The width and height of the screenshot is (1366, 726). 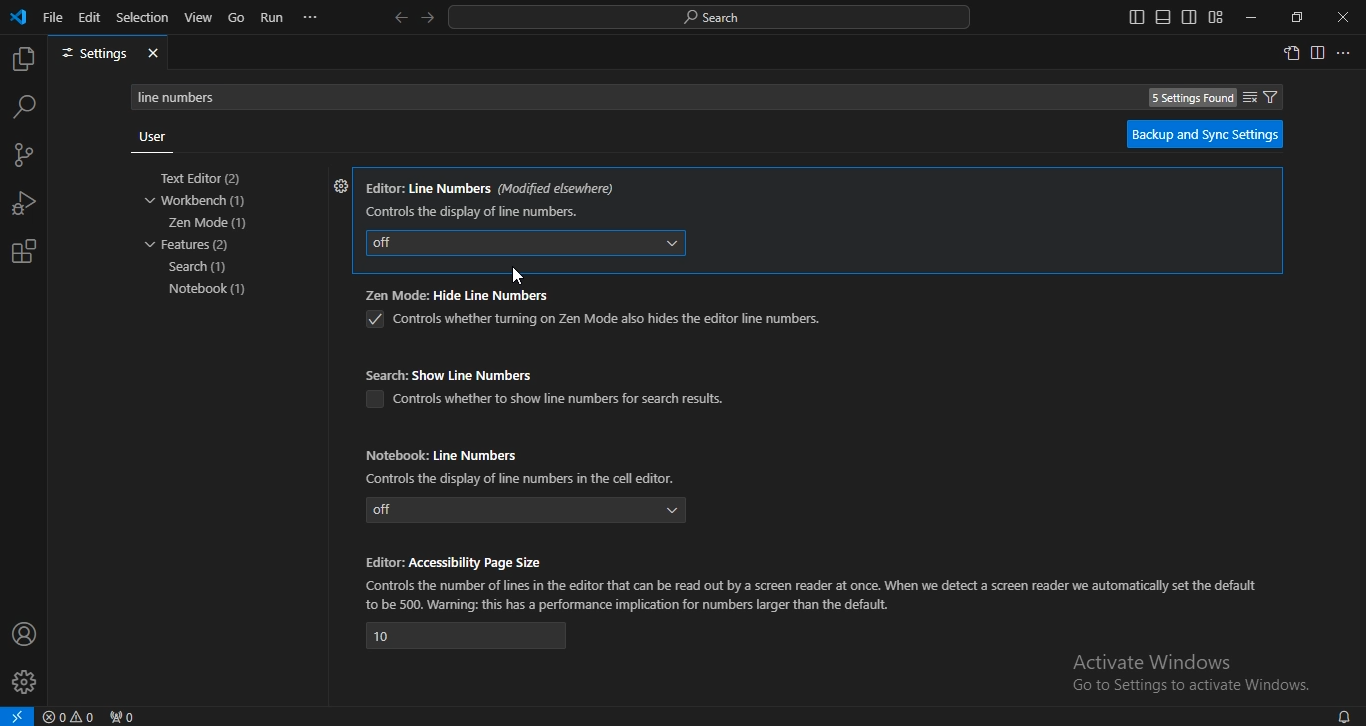 What do you see at coordinates (552, 386) in the screenshot?
I see `‘Search: Show Line Numbers.
Controls whether to show line numbers for search results.` at bounding box center [552, 386].